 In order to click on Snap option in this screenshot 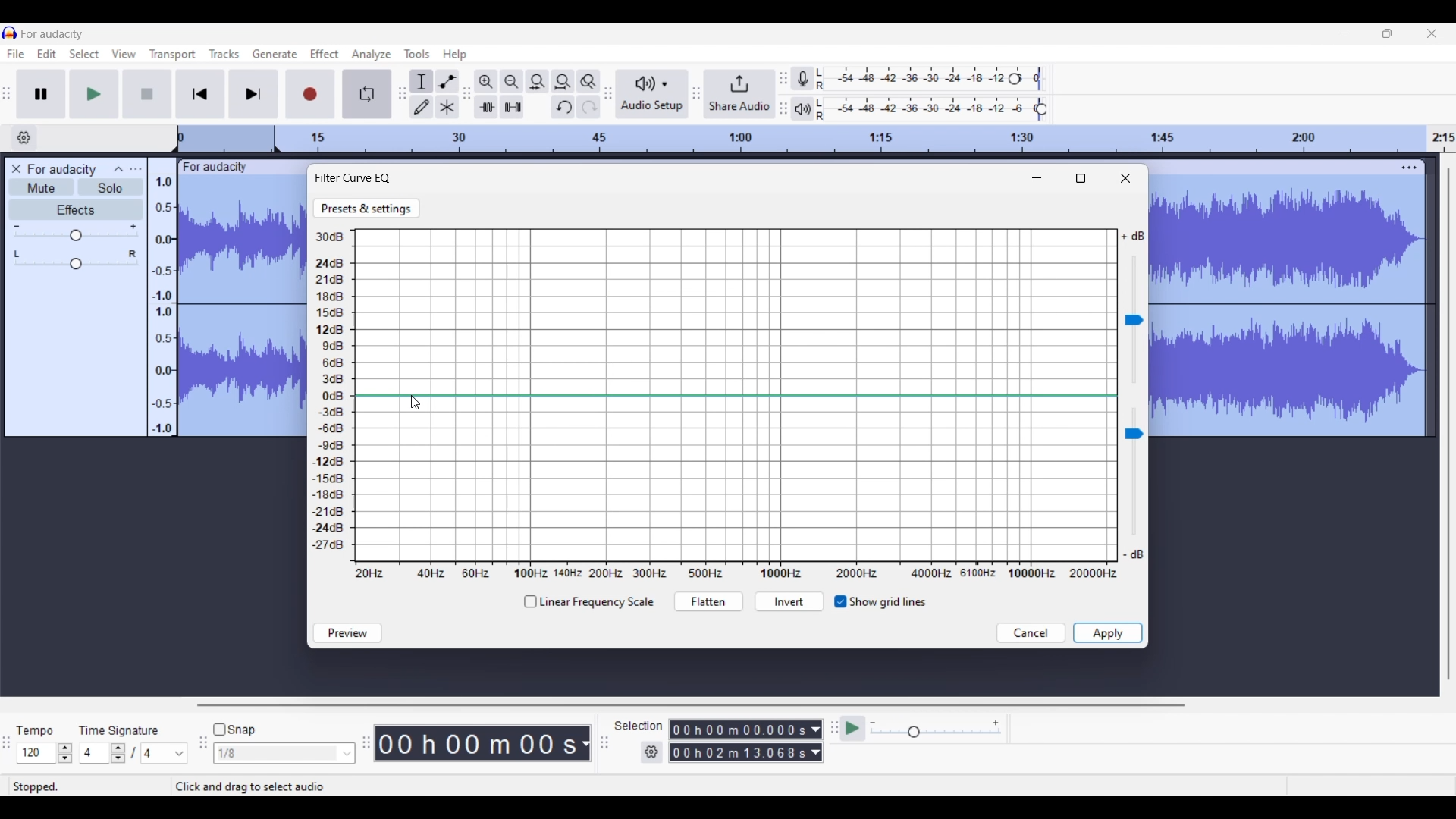, I will do `click(348, 754)`.